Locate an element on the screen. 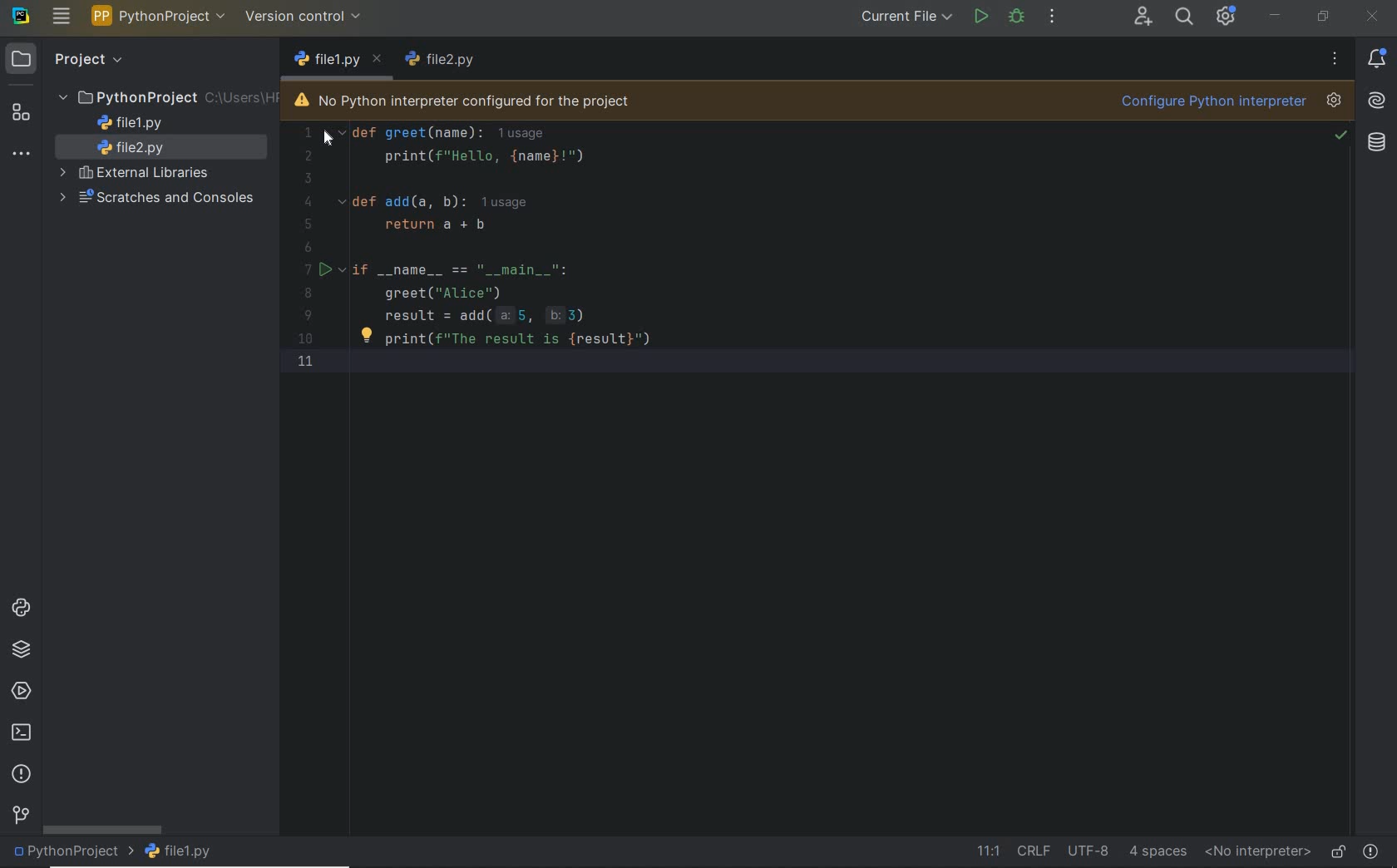 The image size is (1397, 868). version control is located at coordinates (306, 18).